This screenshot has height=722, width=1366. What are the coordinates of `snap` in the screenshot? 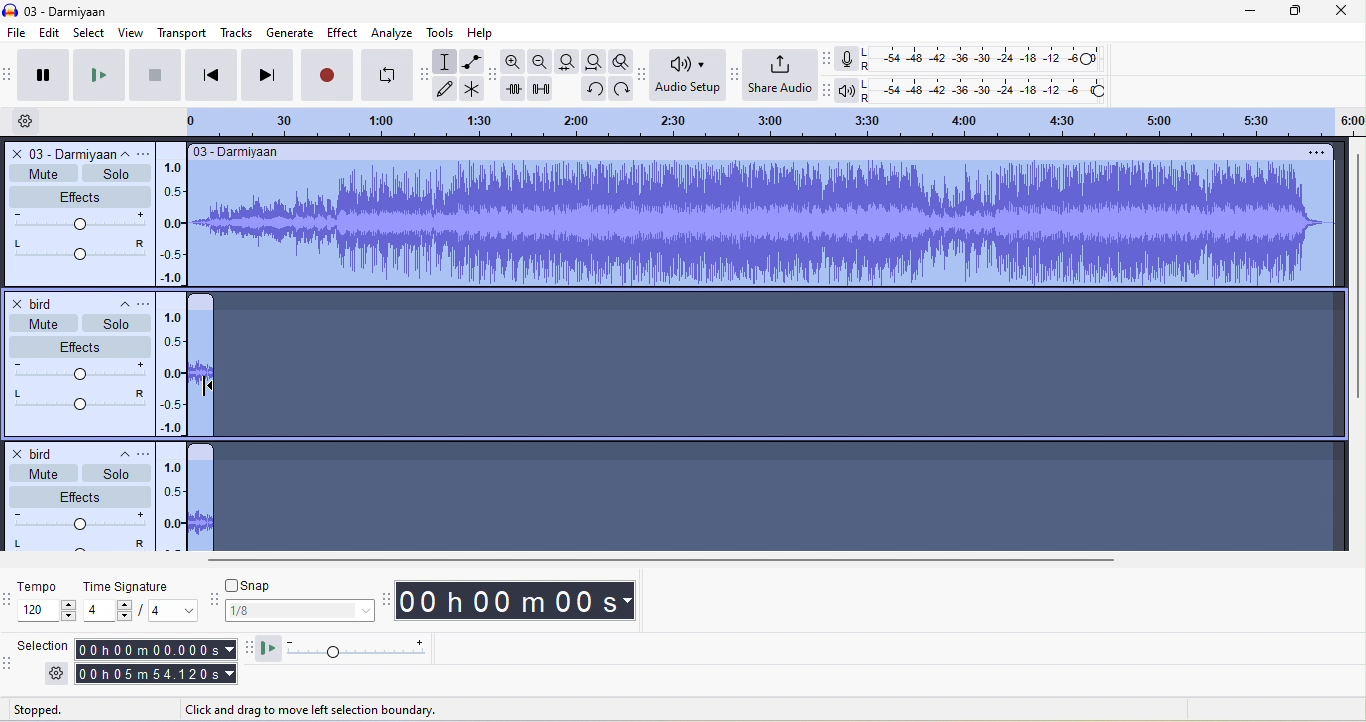 It's located at (298, 585).